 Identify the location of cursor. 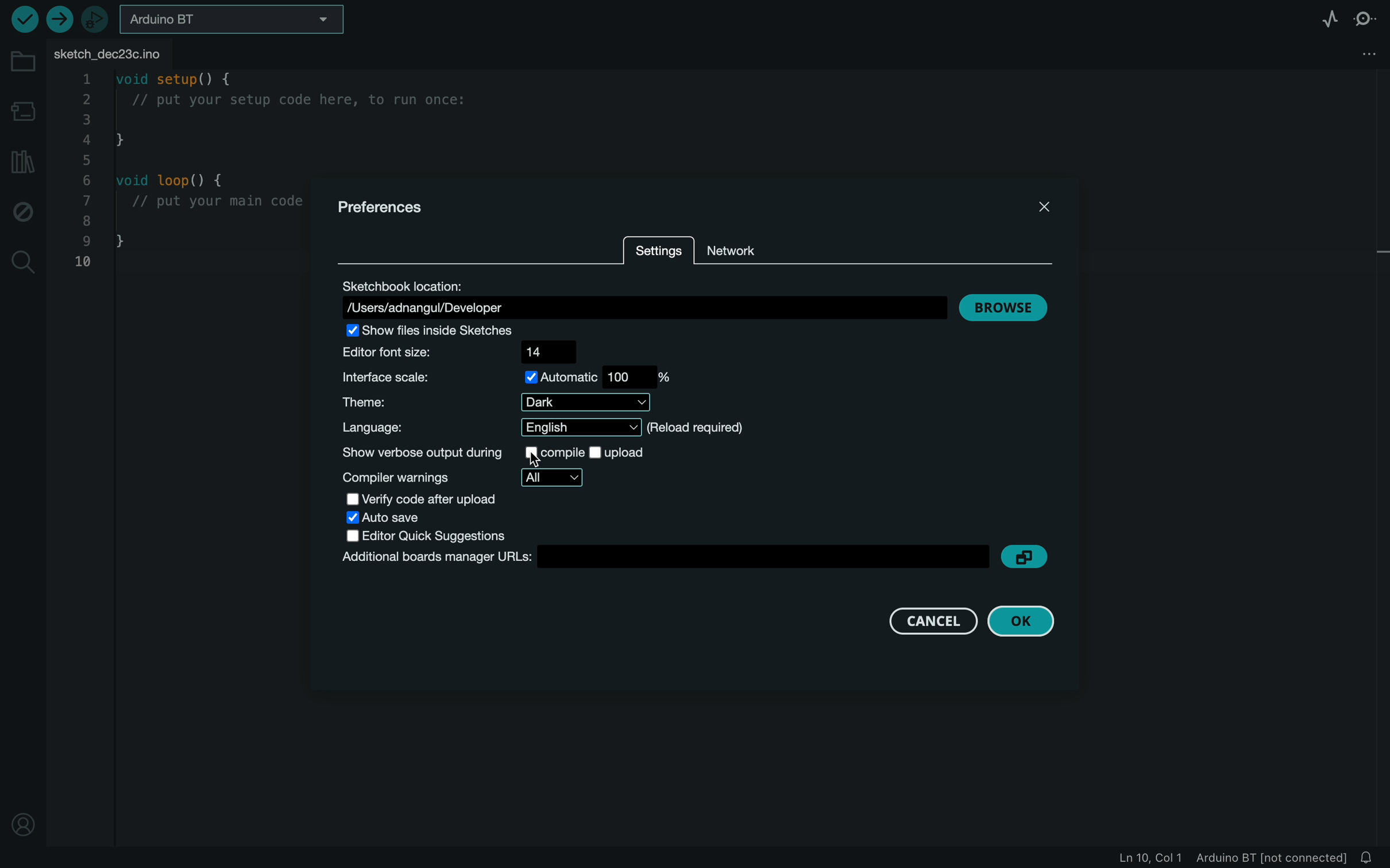
(542, 456).